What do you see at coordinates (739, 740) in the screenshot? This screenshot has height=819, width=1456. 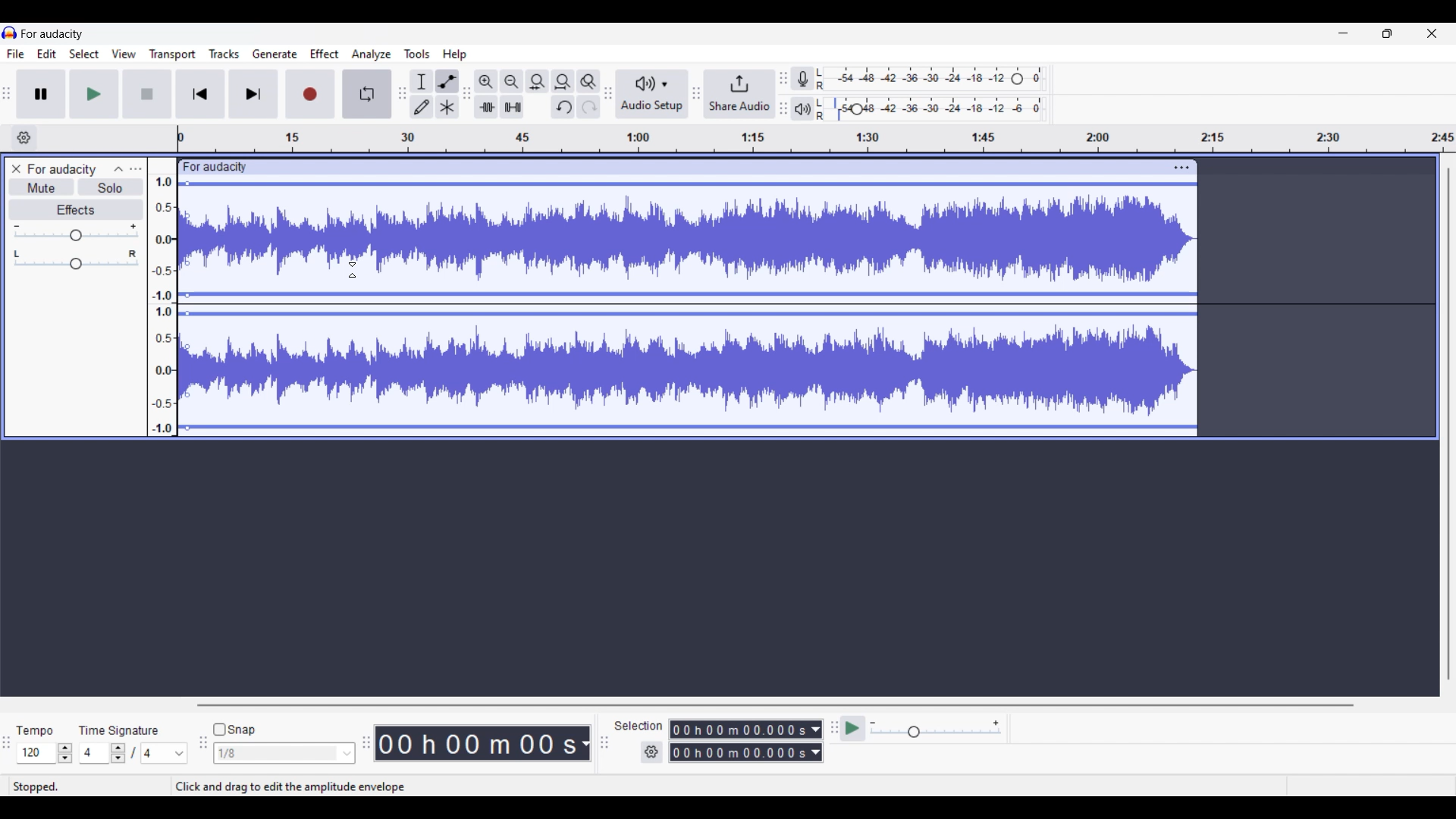 I see `Selection duration` at bounding box center [739, 740].